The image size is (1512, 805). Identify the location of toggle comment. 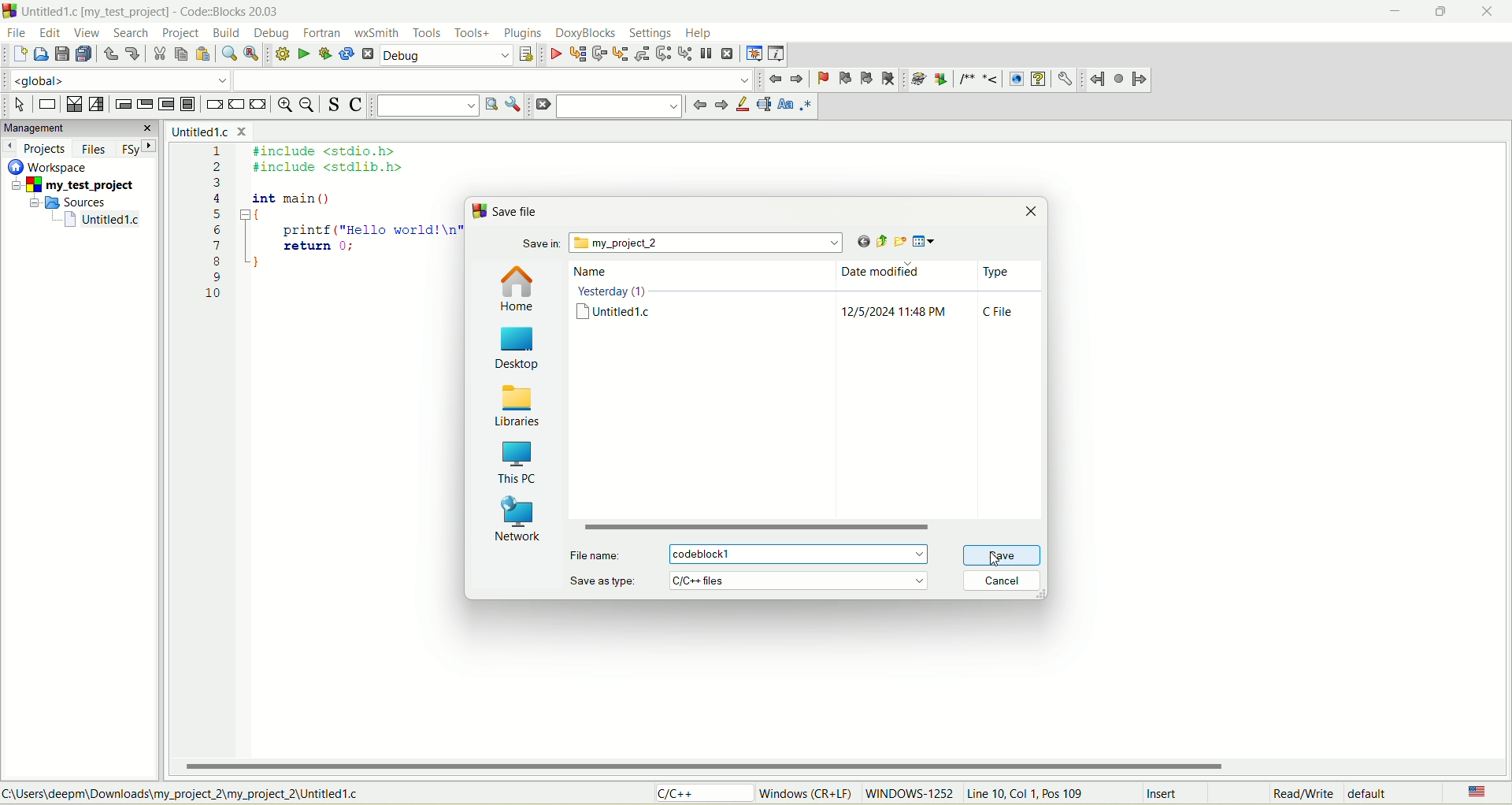
(356, 106).